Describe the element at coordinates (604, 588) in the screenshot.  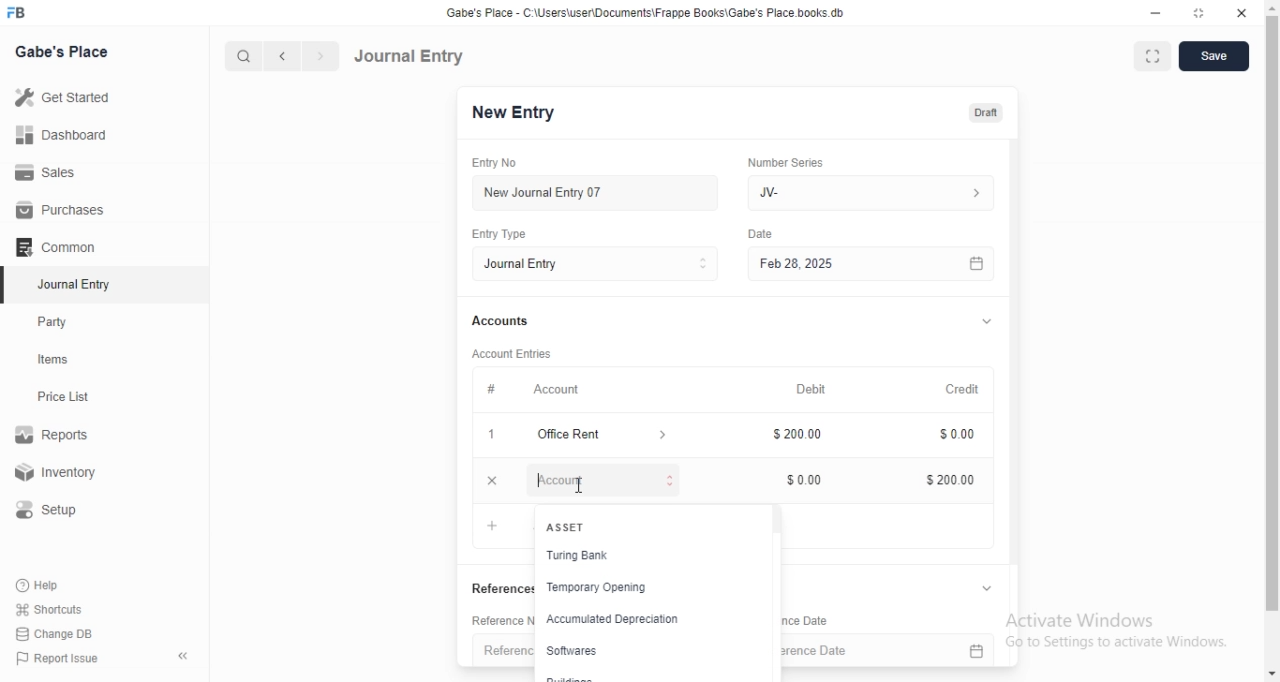
I see `temporary opening` at that location.